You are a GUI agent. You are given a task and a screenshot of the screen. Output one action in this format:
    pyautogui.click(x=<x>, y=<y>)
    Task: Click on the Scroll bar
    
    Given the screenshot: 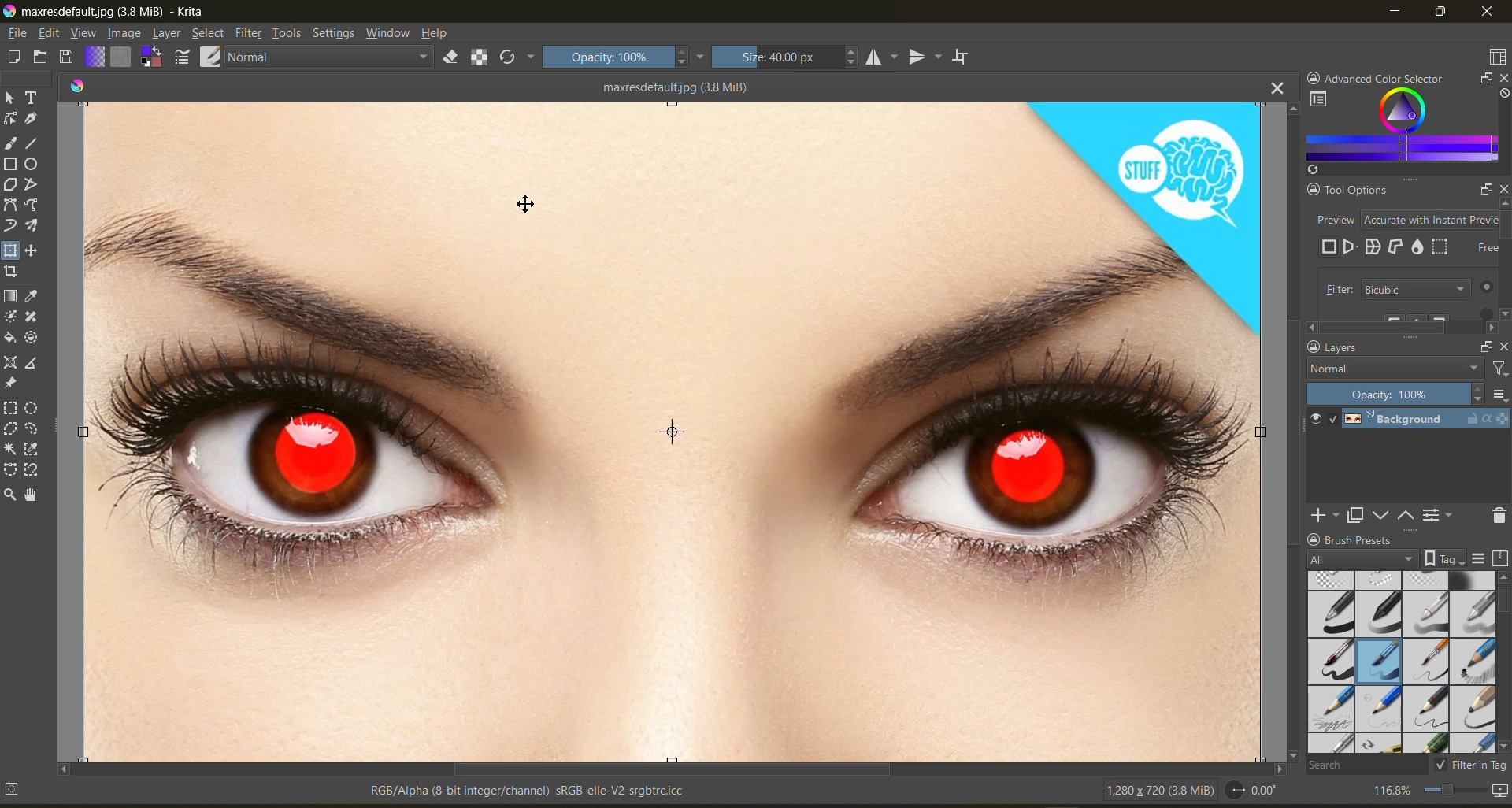 What is the action you would take?
    pyautogui.click(x=1506, y=263)
    